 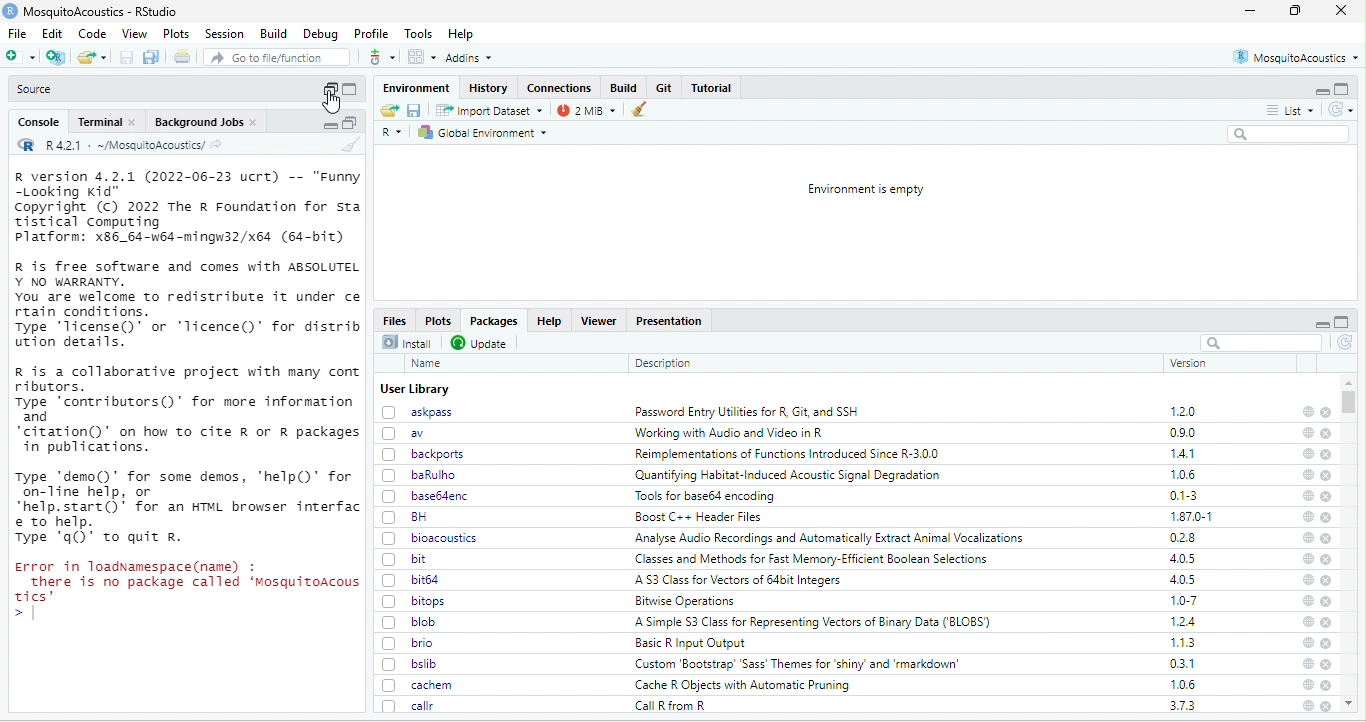 What do you see at coordinates (1307, 664) in the screenshot?
I see `help` at bounding box center [1307, 664].